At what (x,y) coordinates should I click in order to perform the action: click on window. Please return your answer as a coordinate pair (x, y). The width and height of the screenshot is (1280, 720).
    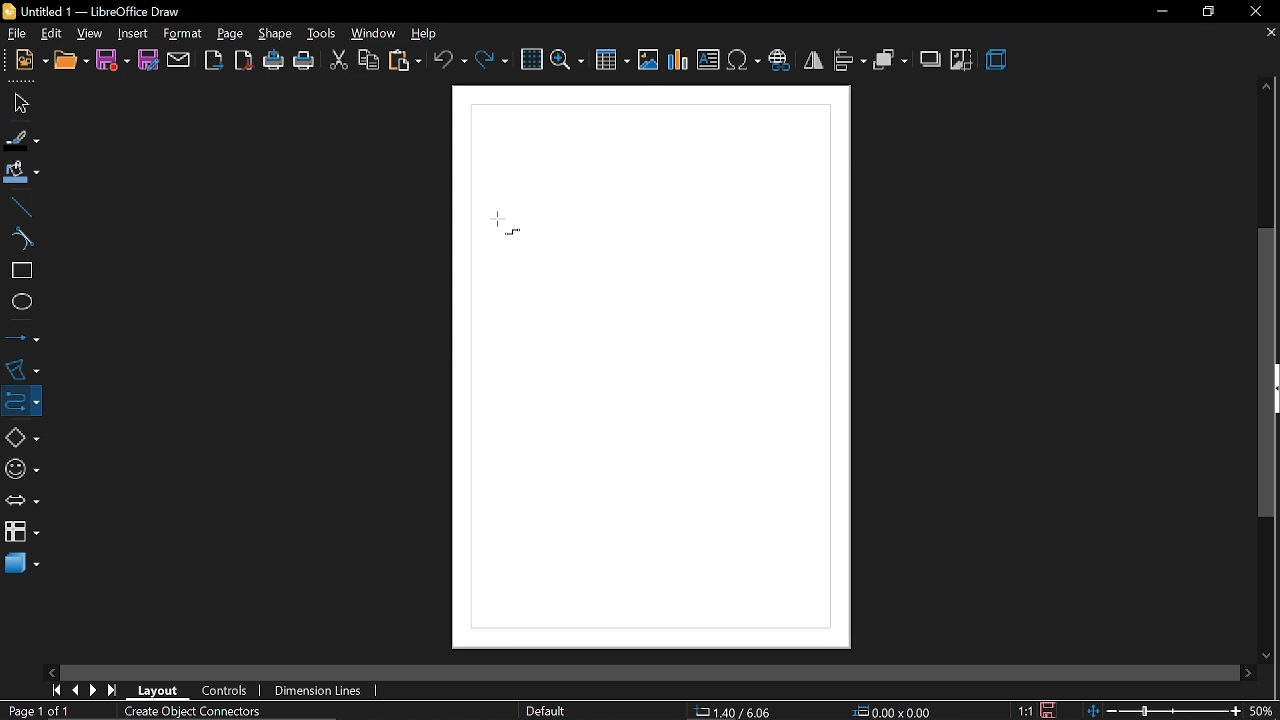
    Looking at the image, I should click on (371, 34).